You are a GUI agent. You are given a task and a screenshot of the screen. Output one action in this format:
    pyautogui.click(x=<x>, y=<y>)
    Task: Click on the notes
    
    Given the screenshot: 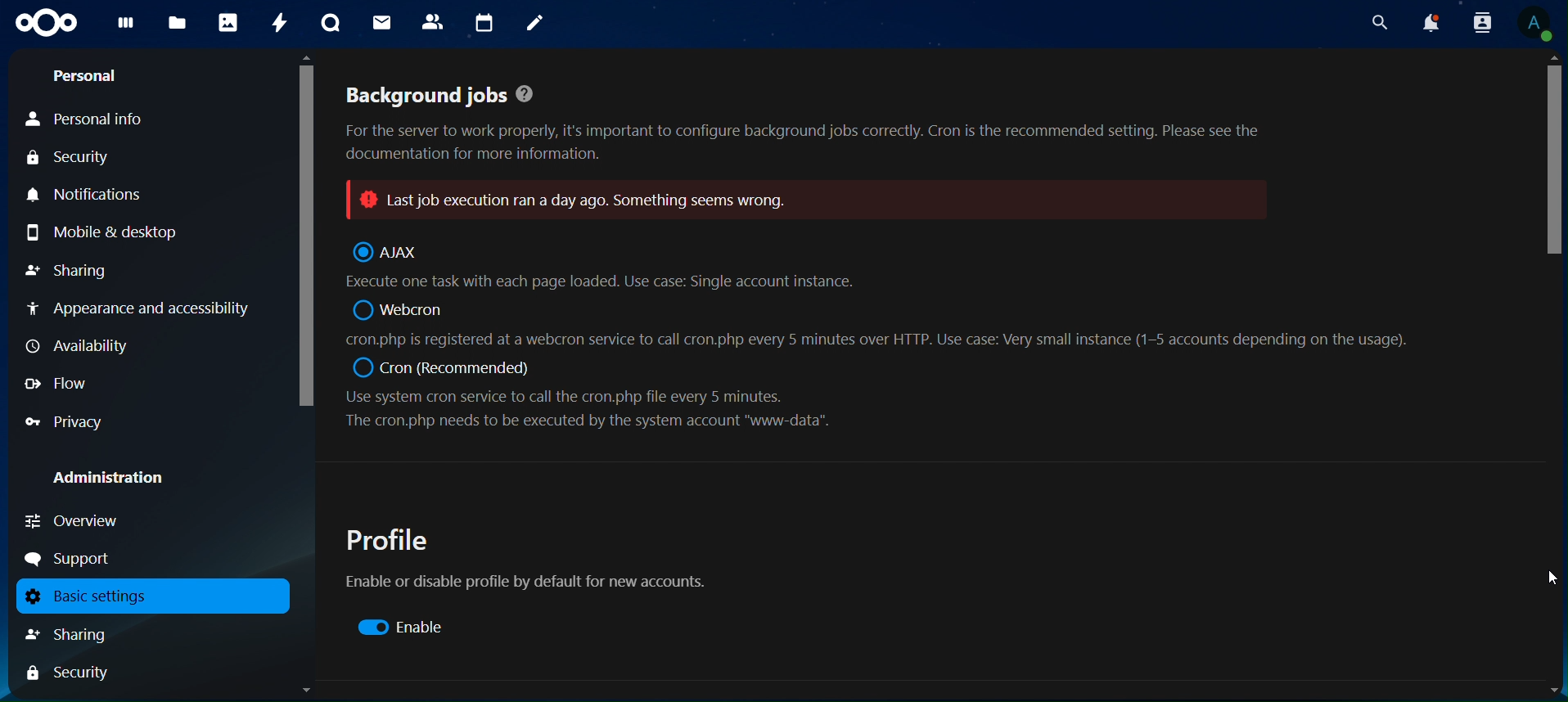 What is the action you would take?
    pyautogui.click(x=535, y=25)
    